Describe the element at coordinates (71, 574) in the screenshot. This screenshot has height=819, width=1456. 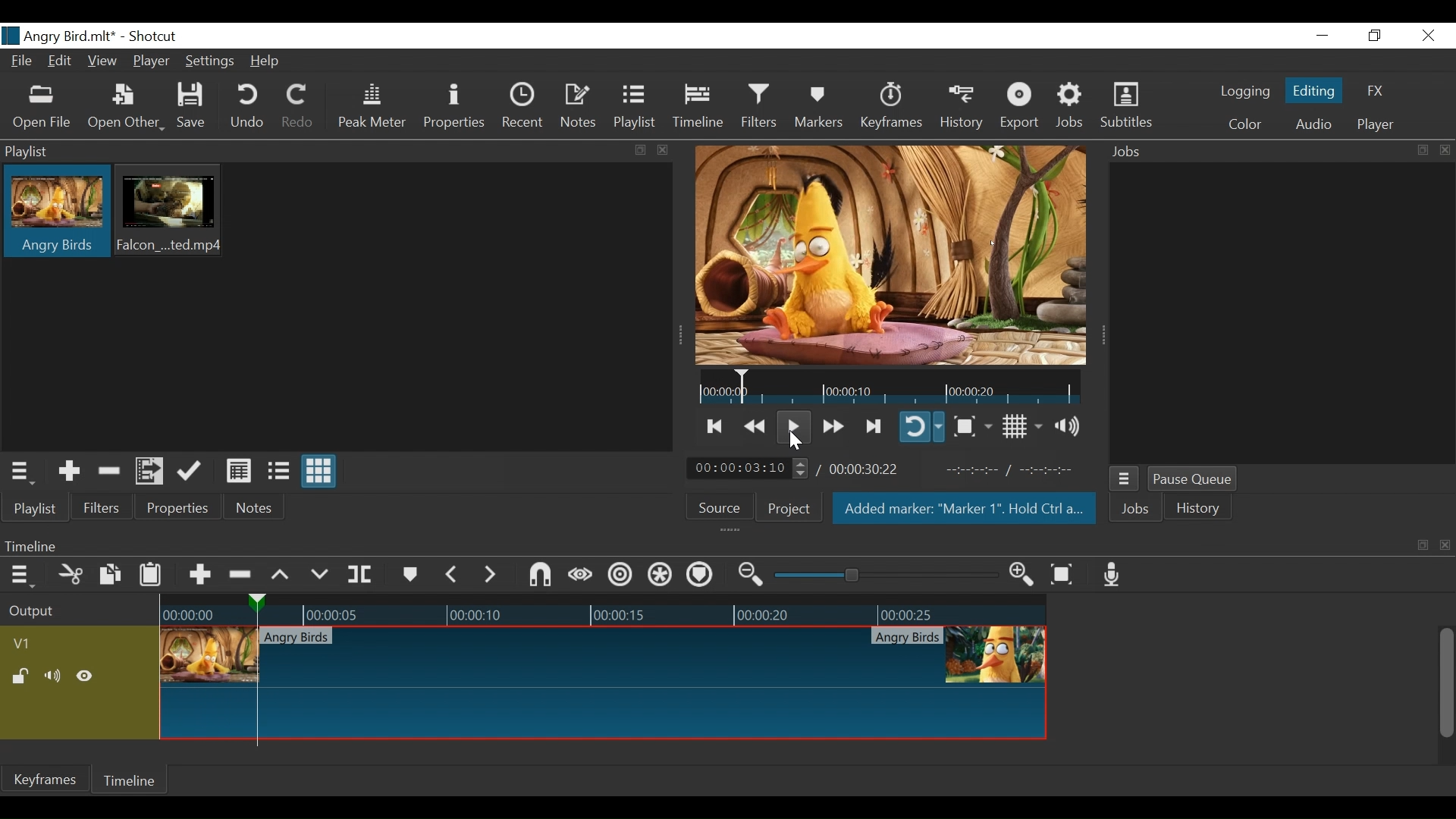
I see `Cut` at that location.